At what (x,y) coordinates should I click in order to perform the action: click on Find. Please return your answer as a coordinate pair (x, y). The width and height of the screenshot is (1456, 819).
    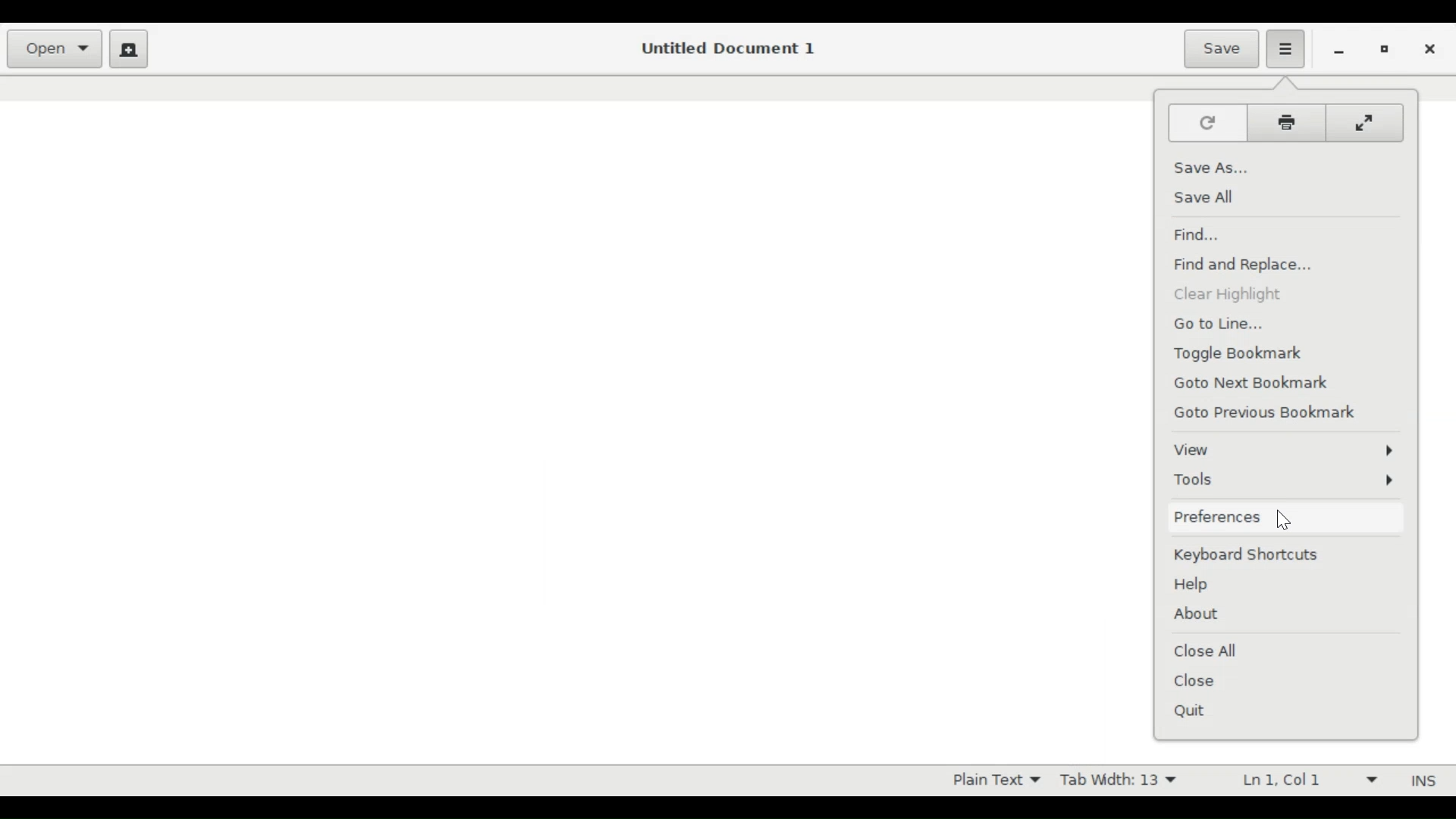
    Looking at the image, I should click on (1198, 235).